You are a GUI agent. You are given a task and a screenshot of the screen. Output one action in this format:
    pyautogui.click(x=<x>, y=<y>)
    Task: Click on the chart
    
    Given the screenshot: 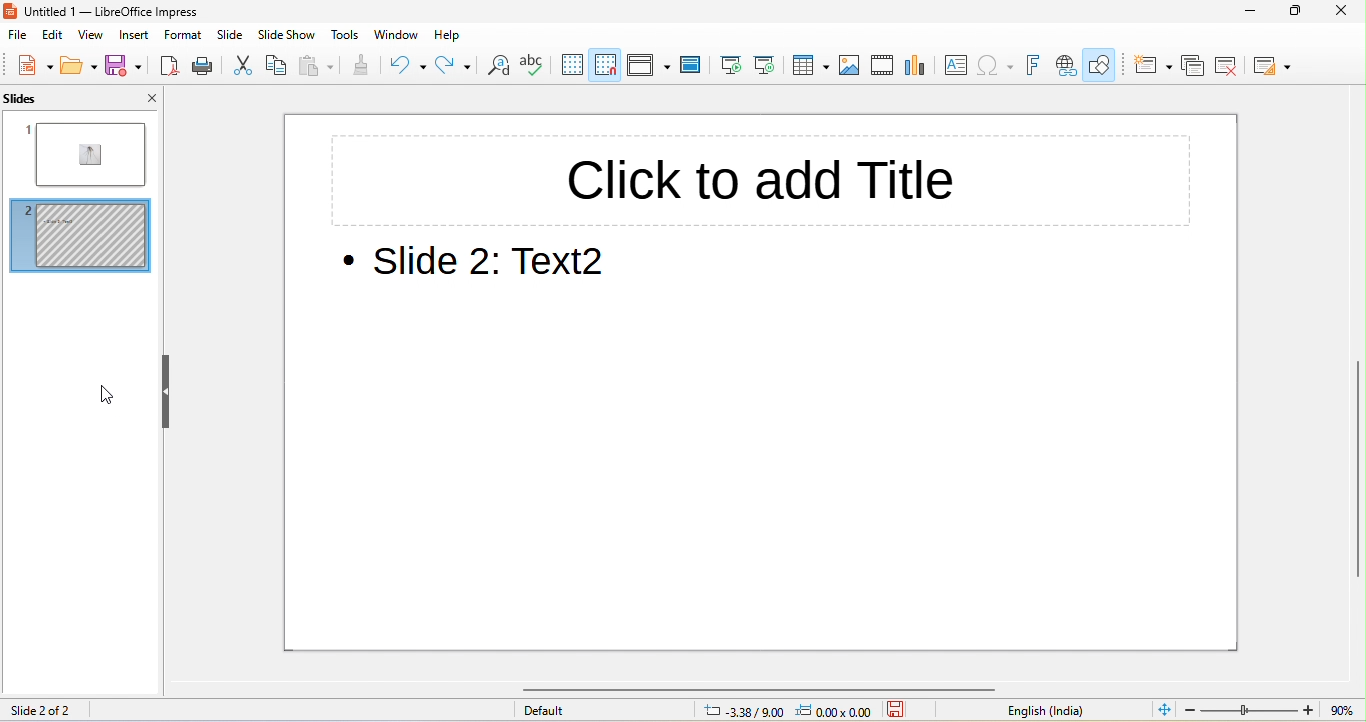 What is the action you would take?
    pyautogui.click(x=919, y=67)
    